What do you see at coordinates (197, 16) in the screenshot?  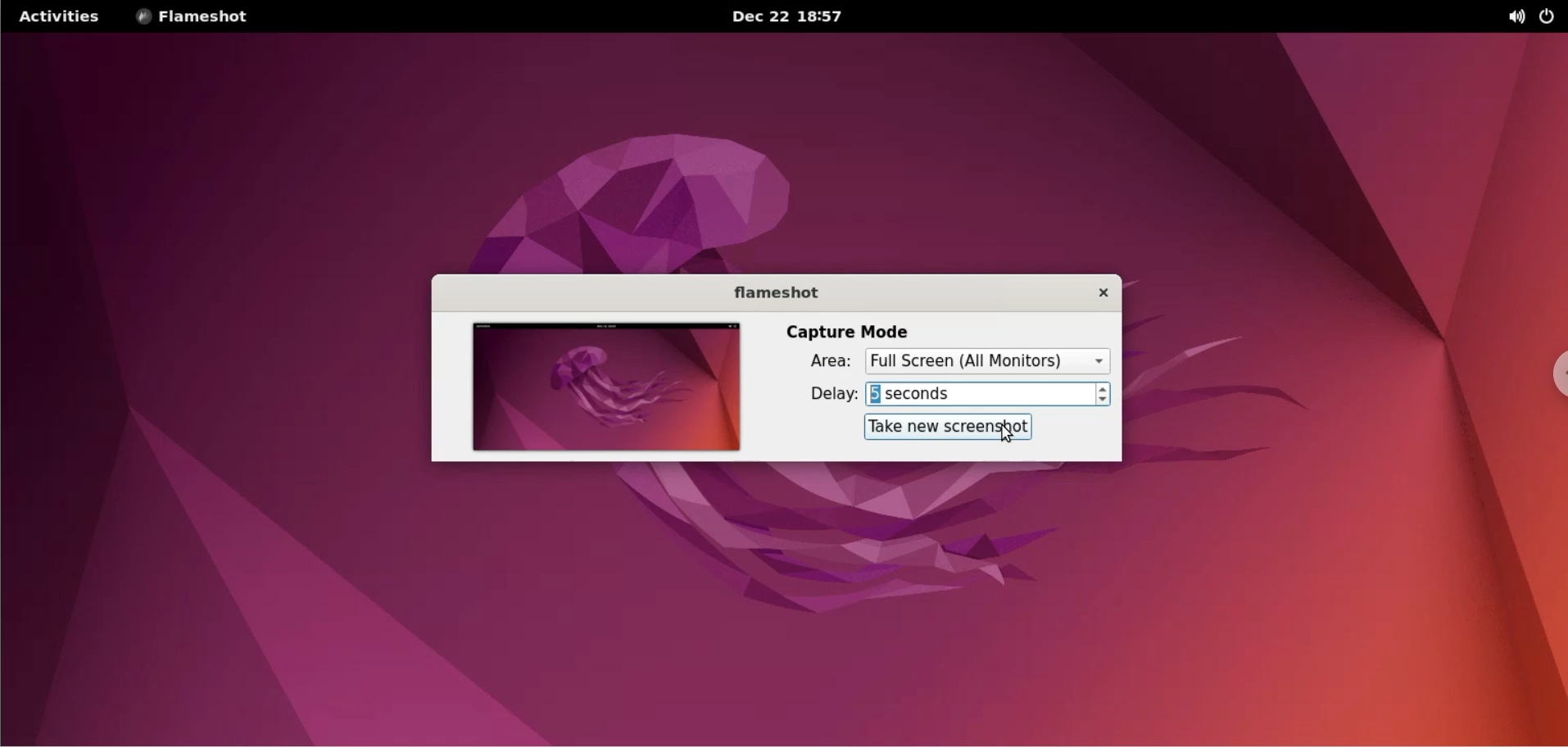 I see `flameshot options` at bounding box center [197, 16].